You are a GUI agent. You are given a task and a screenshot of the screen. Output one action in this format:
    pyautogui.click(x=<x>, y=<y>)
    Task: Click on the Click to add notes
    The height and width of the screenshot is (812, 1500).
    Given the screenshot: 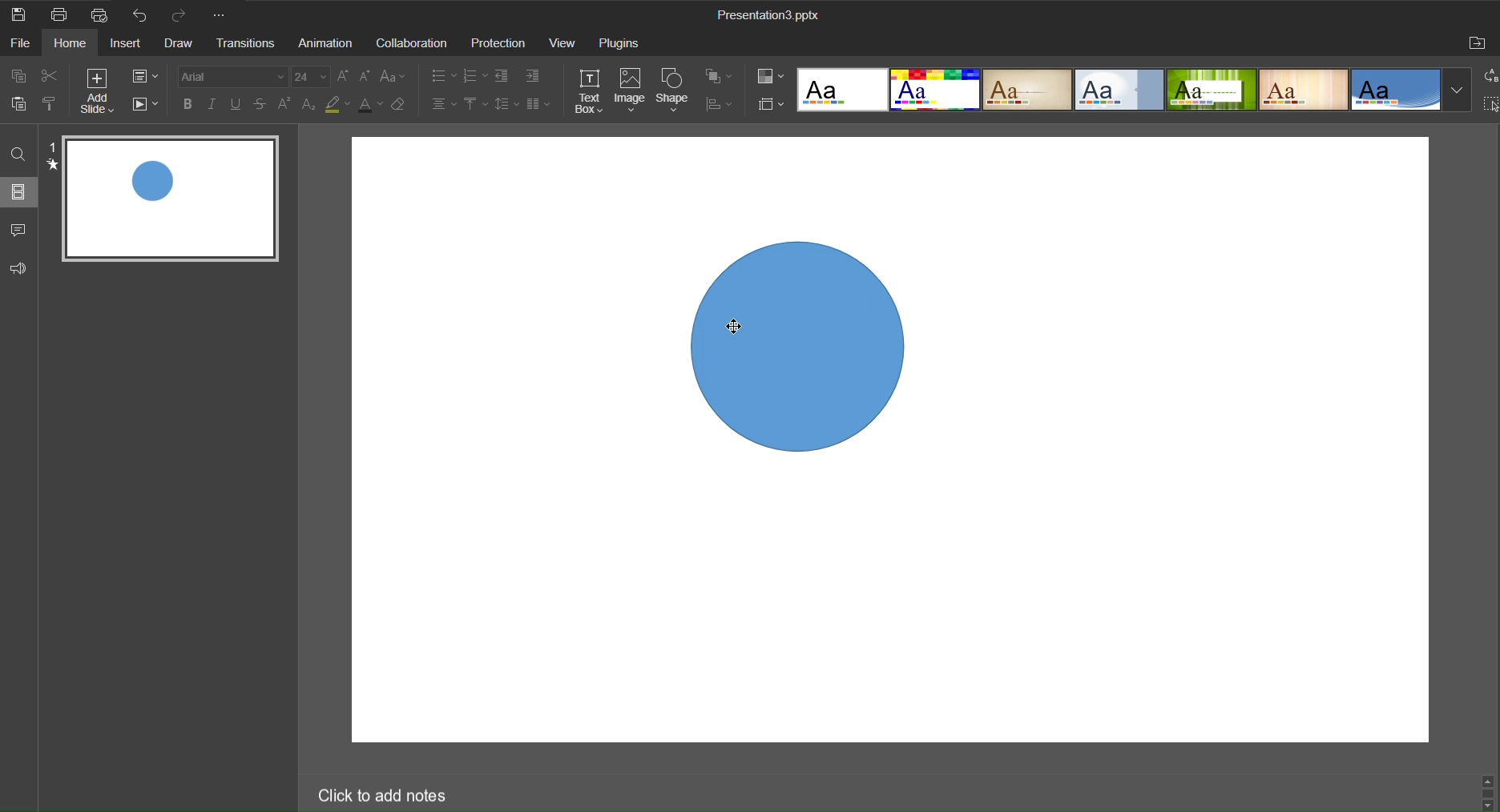 What is the action you would take?
    pyautogui.click(x=381, y=792)
    